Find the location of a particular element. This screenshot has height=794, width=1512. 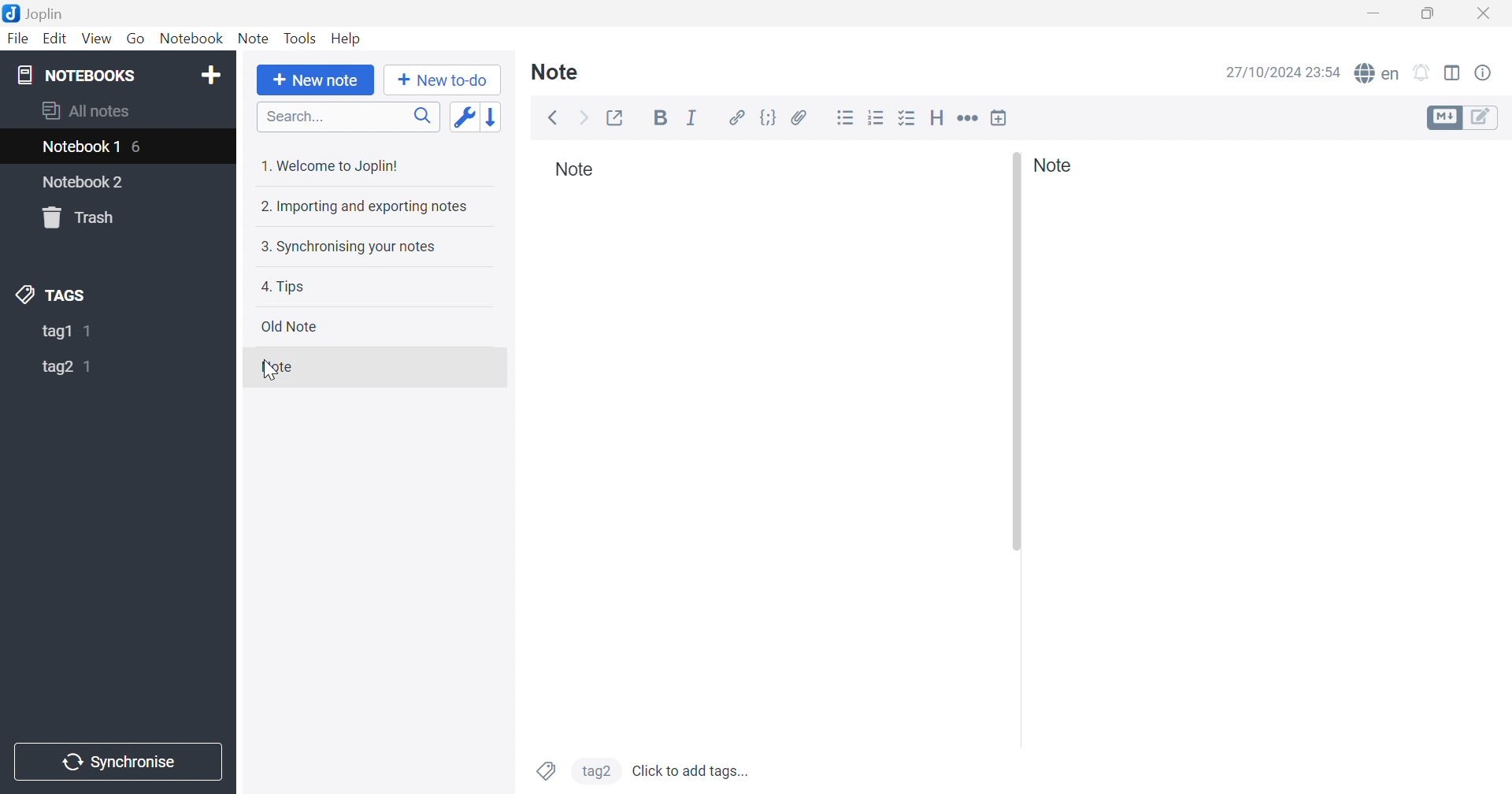

6 is located at coordinates (139, 146).